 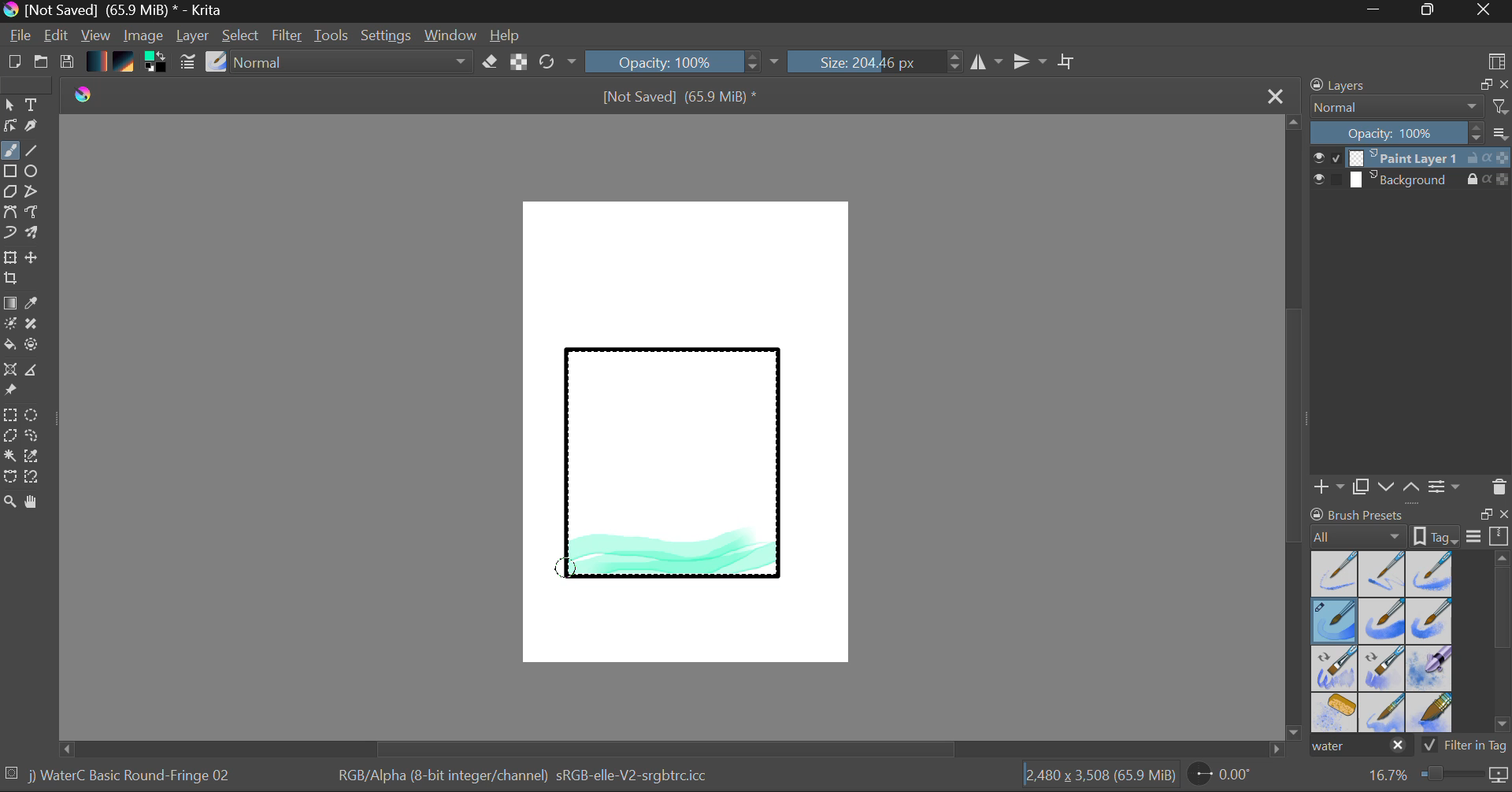 I want to click on Brush Selected, so click(x=132, y=777).